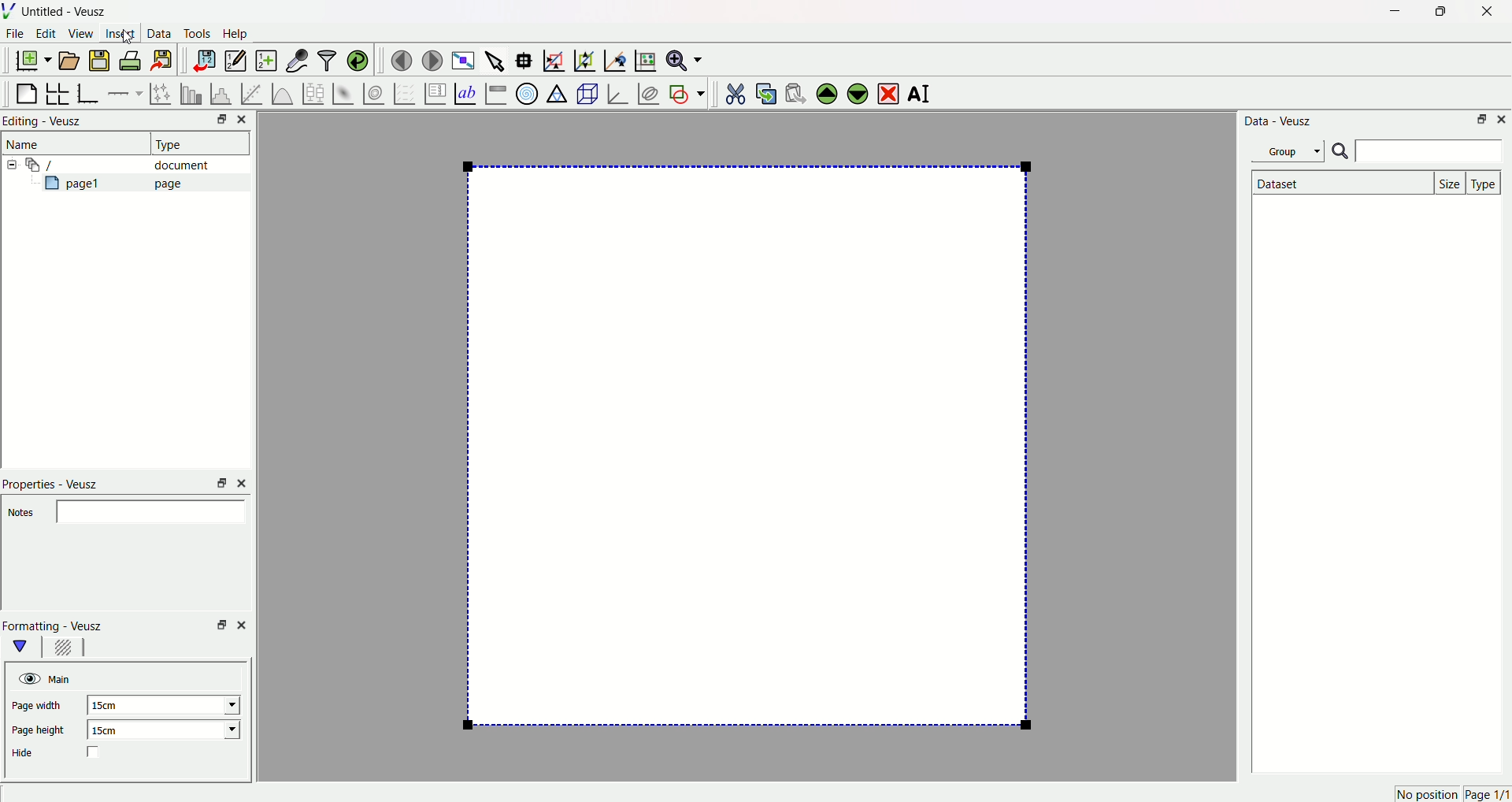 The height and width of the screenshot is (802, 1512). What do you see at coordinates (402, 93) in the screenshot?
I see `plot a vector field` at bounding box center [402, 93].